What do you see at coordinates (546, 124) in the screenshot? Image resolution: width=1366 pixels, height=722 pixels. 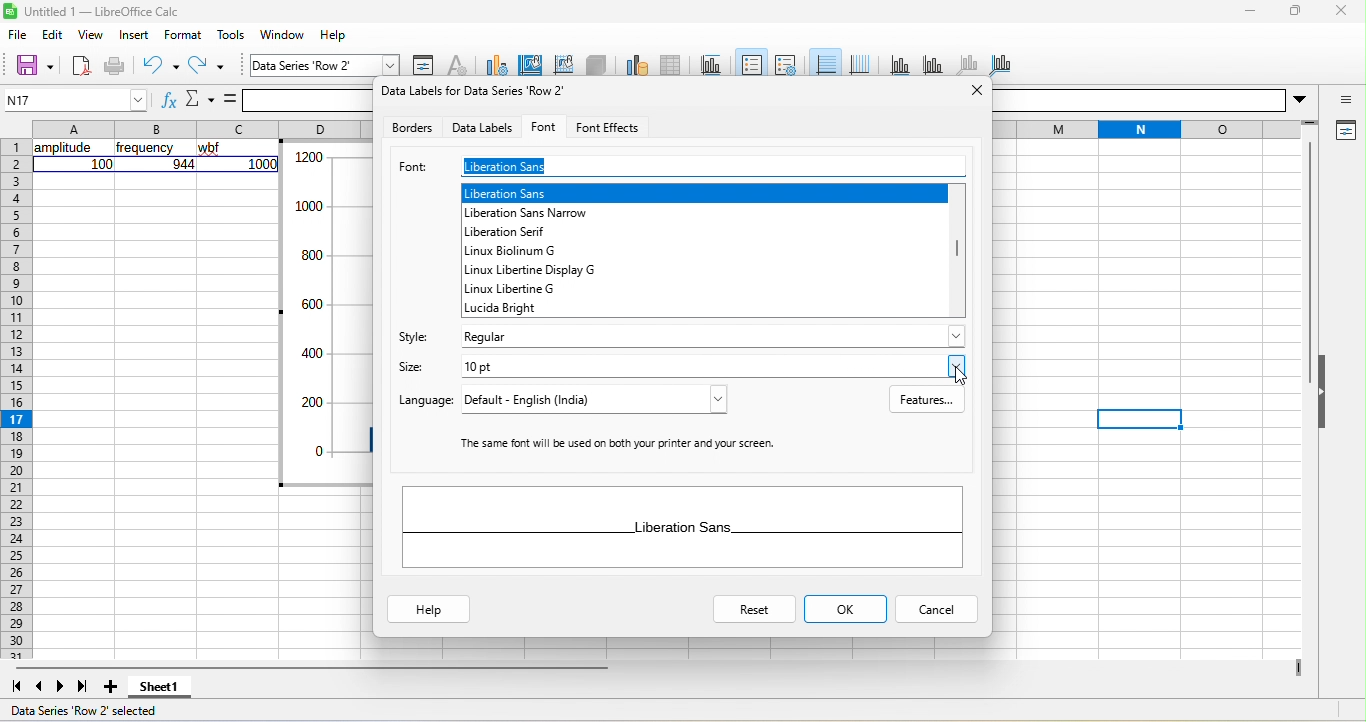 I see `font` at bounding box center [546, 124].